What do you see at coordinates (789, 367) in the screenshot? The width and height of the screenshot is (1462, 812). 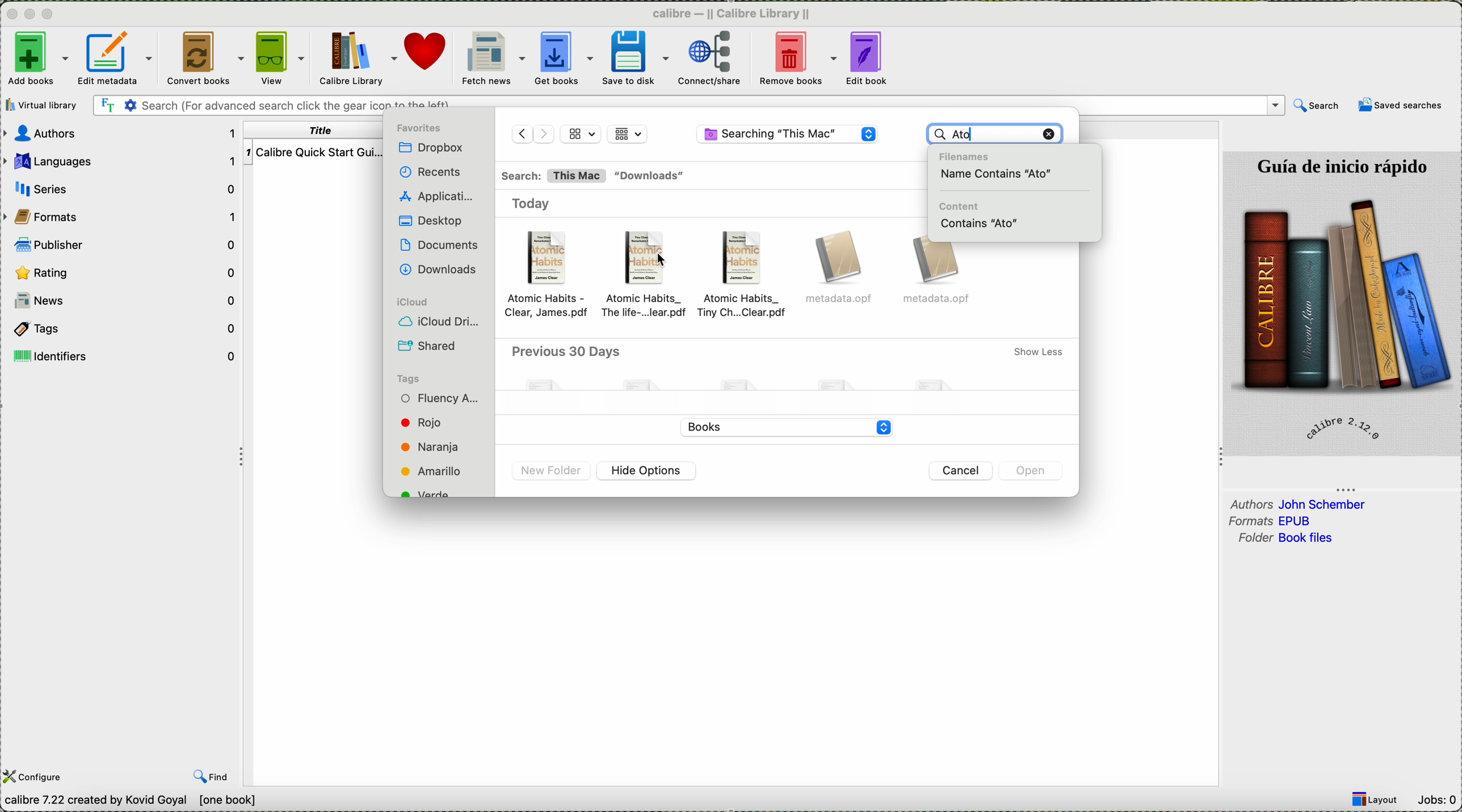 I see `disable files` at bounding box center [789, 367].